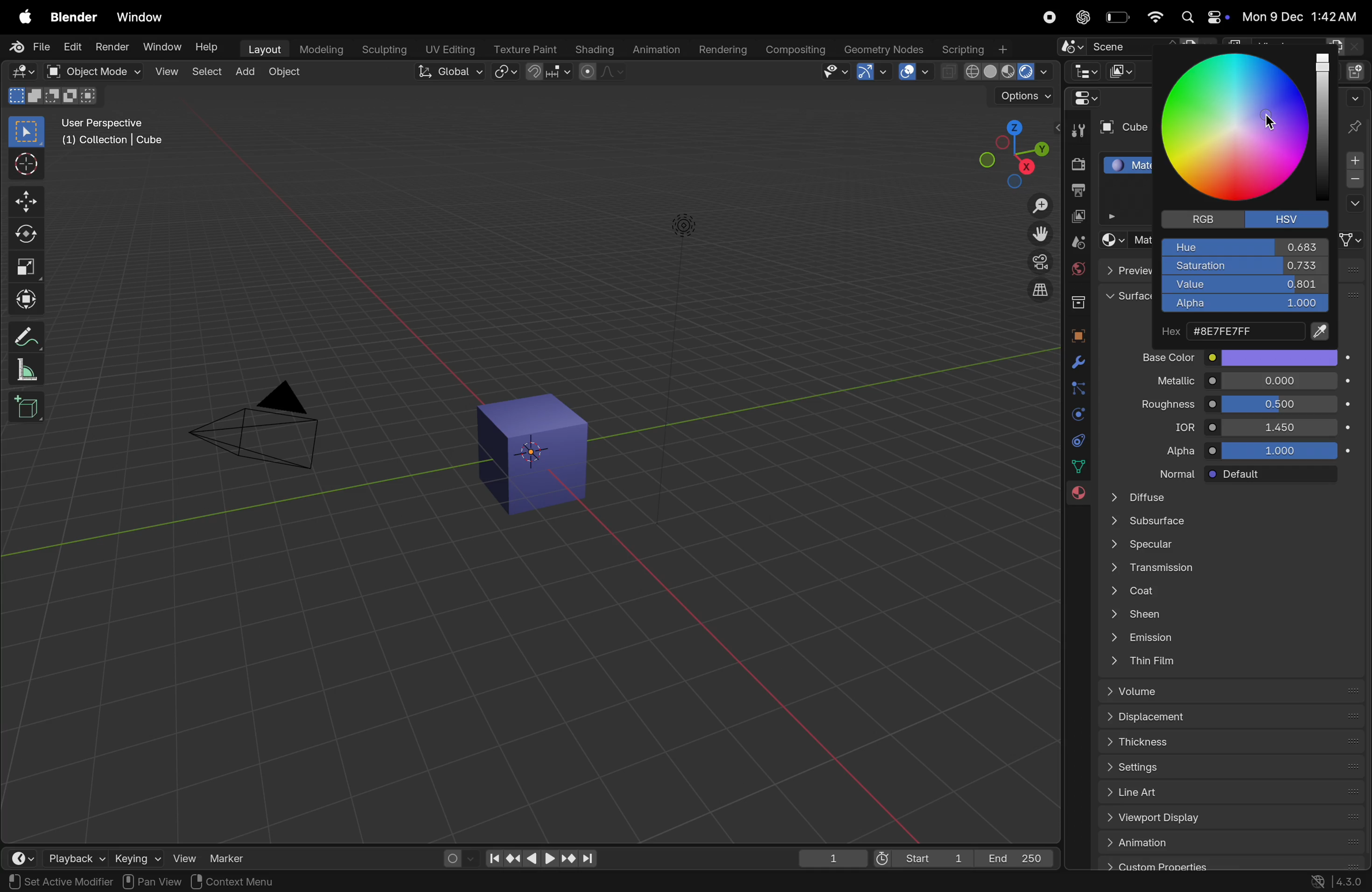  I want to click on Transition, so click(1223, 570).